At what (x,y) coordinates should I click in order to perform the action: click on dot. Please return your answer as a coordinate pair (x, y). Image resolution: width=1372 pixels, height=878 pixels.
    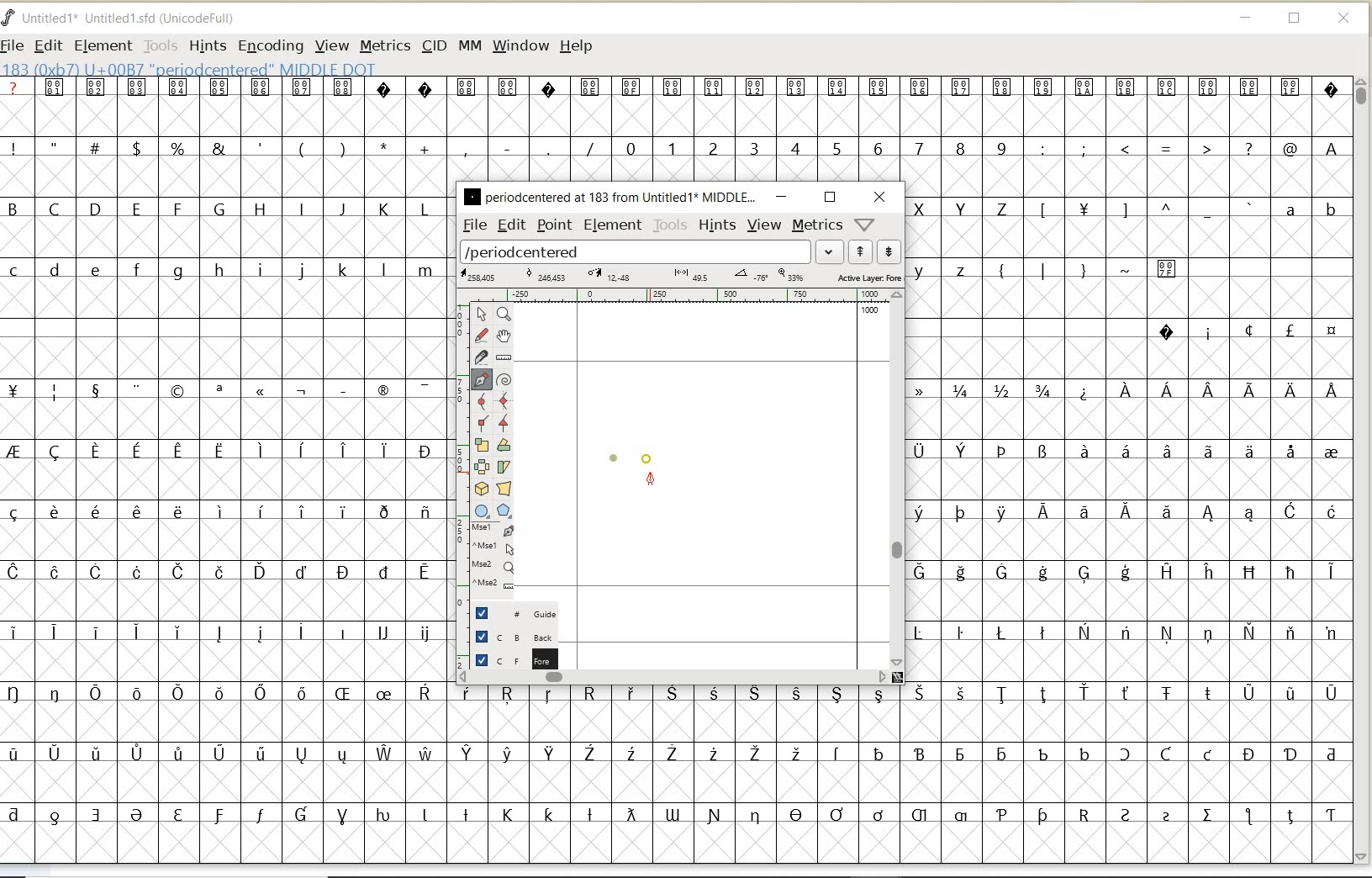
    Looking at the image, I should click on (646, 458).